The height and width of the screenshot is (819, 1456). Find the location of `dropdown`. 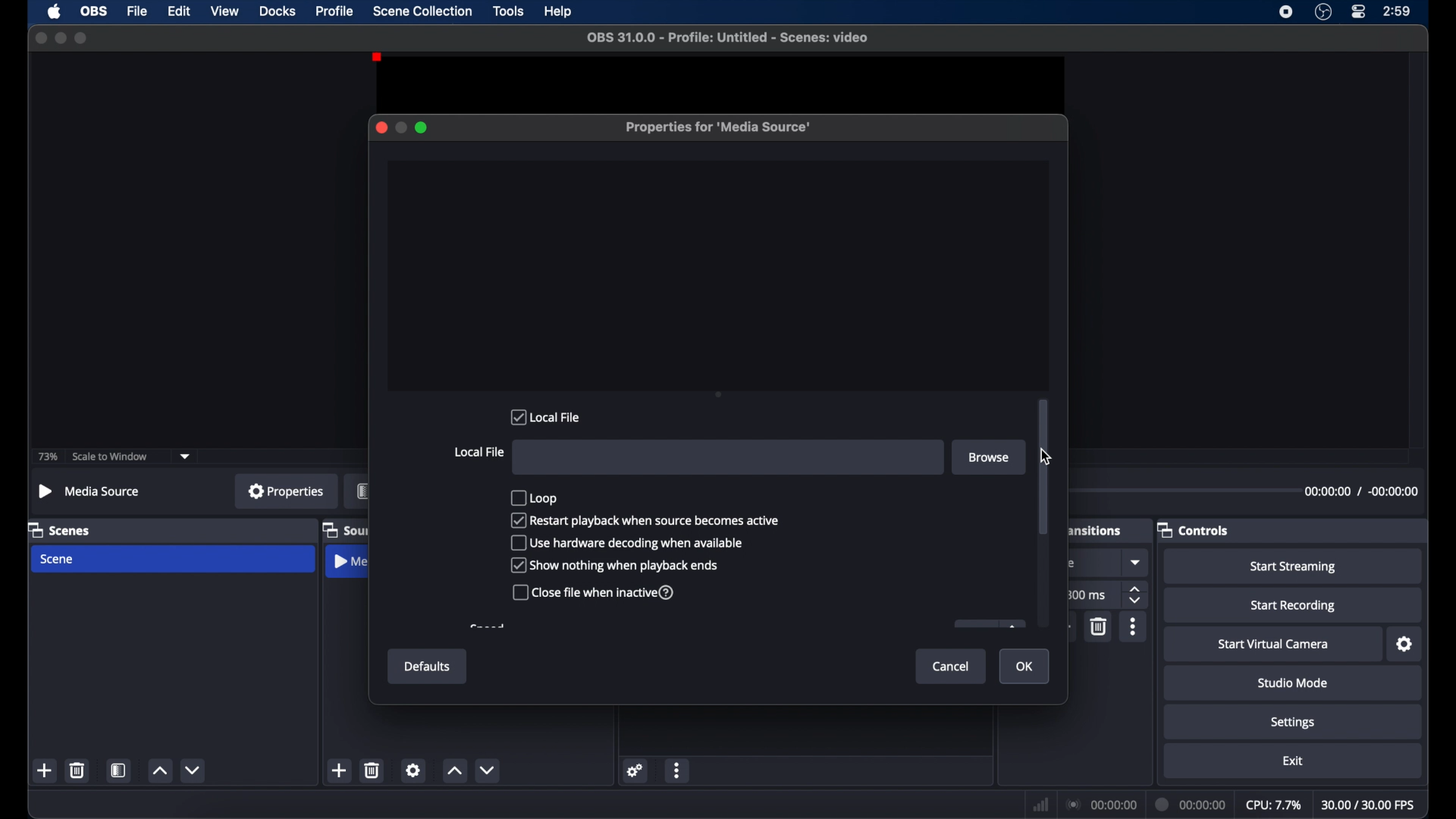

dropdown is located at coordinates (1137, 562).